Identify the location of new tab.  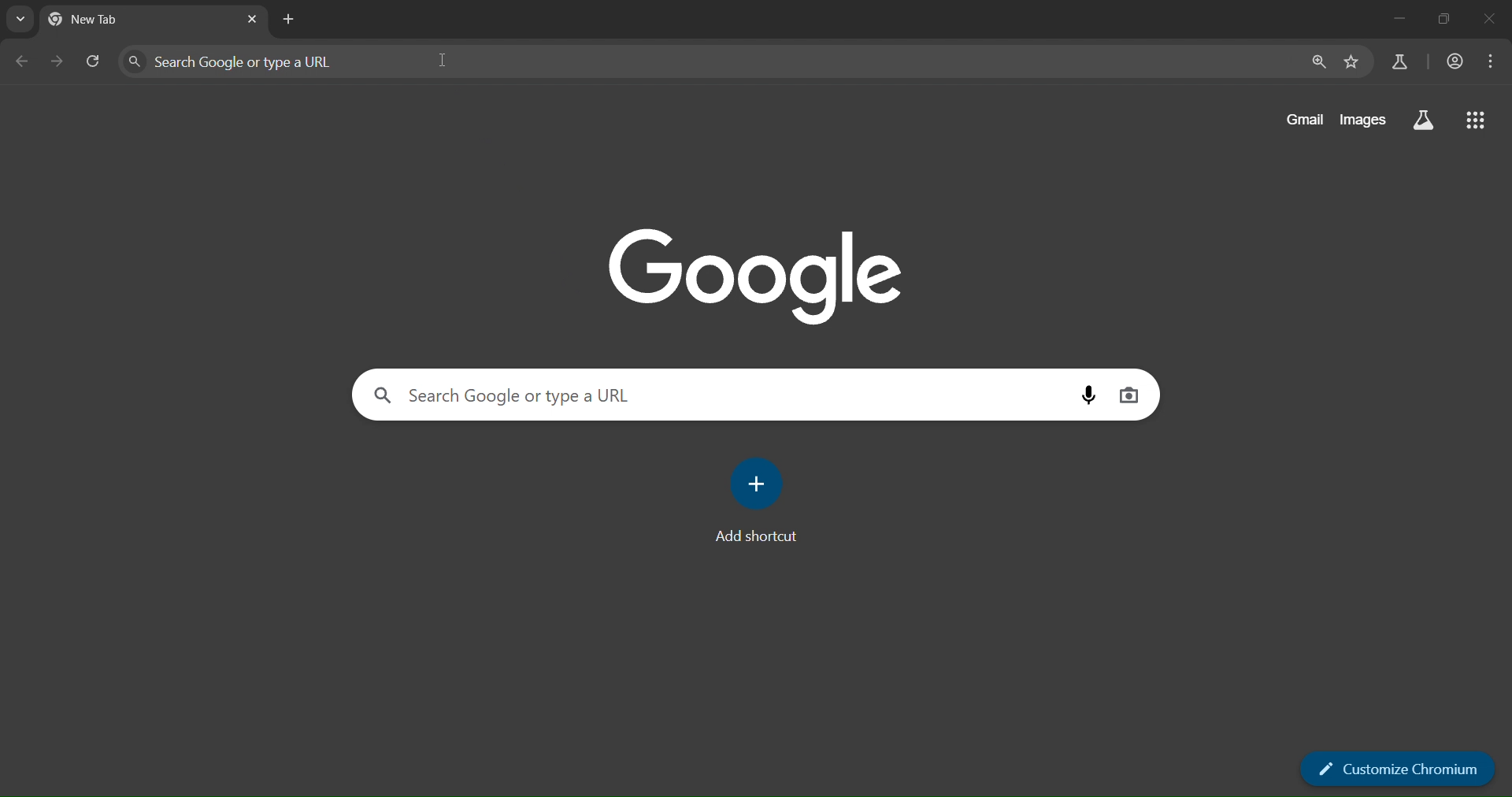
(289, 21).